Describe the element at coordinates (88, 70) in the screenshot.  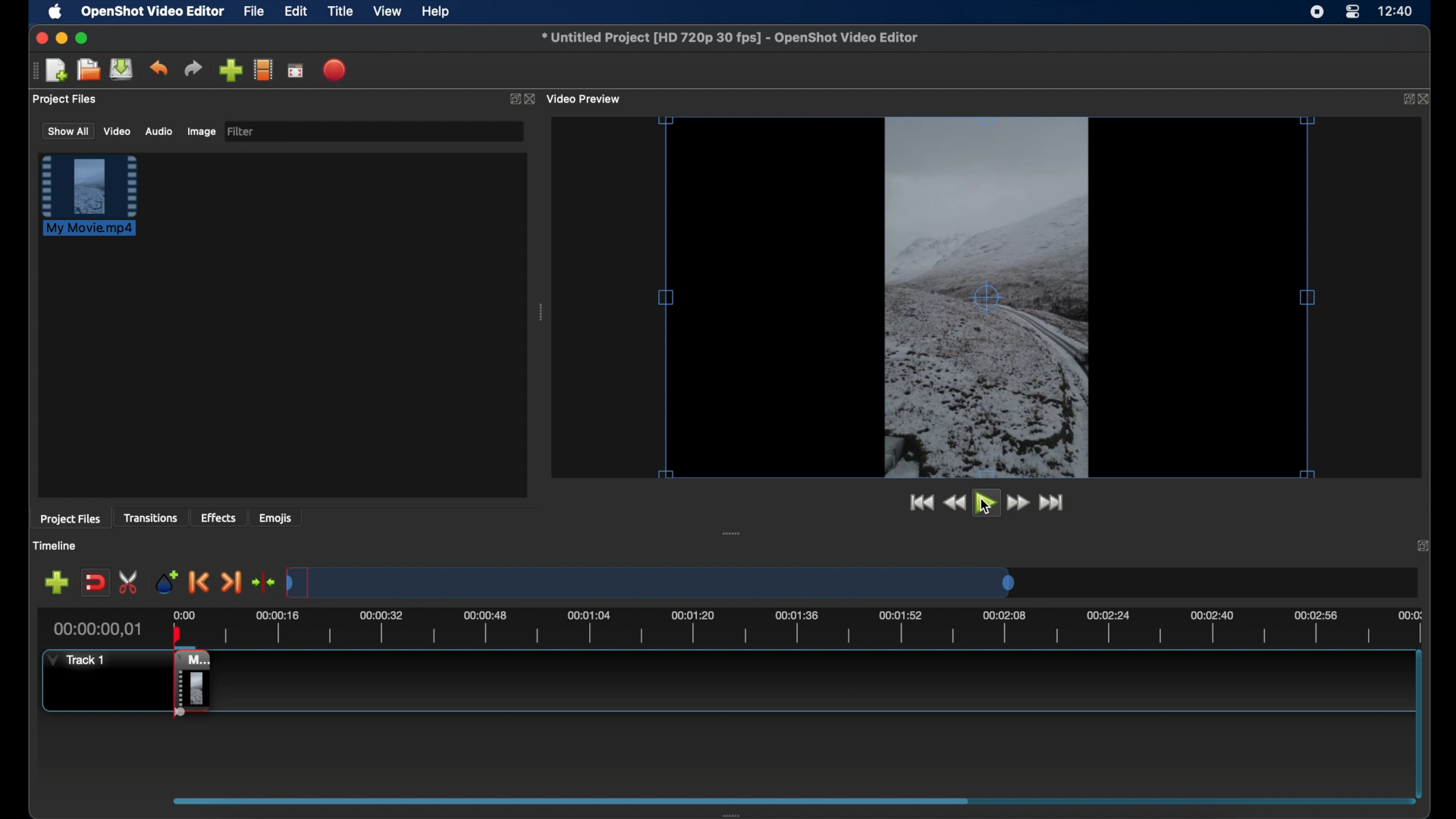
I see `open project` at that location.